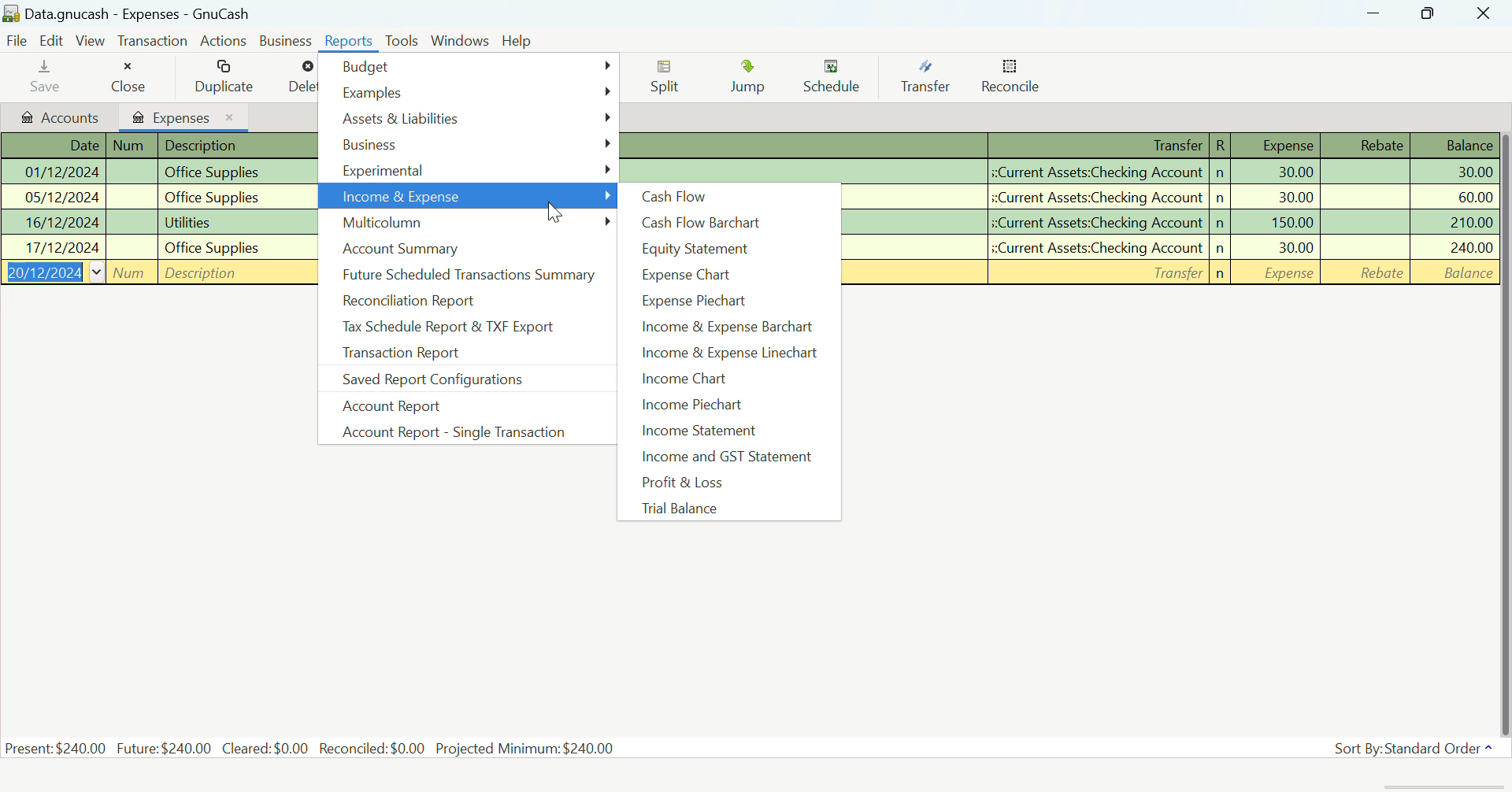 The image size is (1512, 792). Describe the element at coordinates (1060, 171) in the screenshot. I see `Office Supplies Transaction` at that location.